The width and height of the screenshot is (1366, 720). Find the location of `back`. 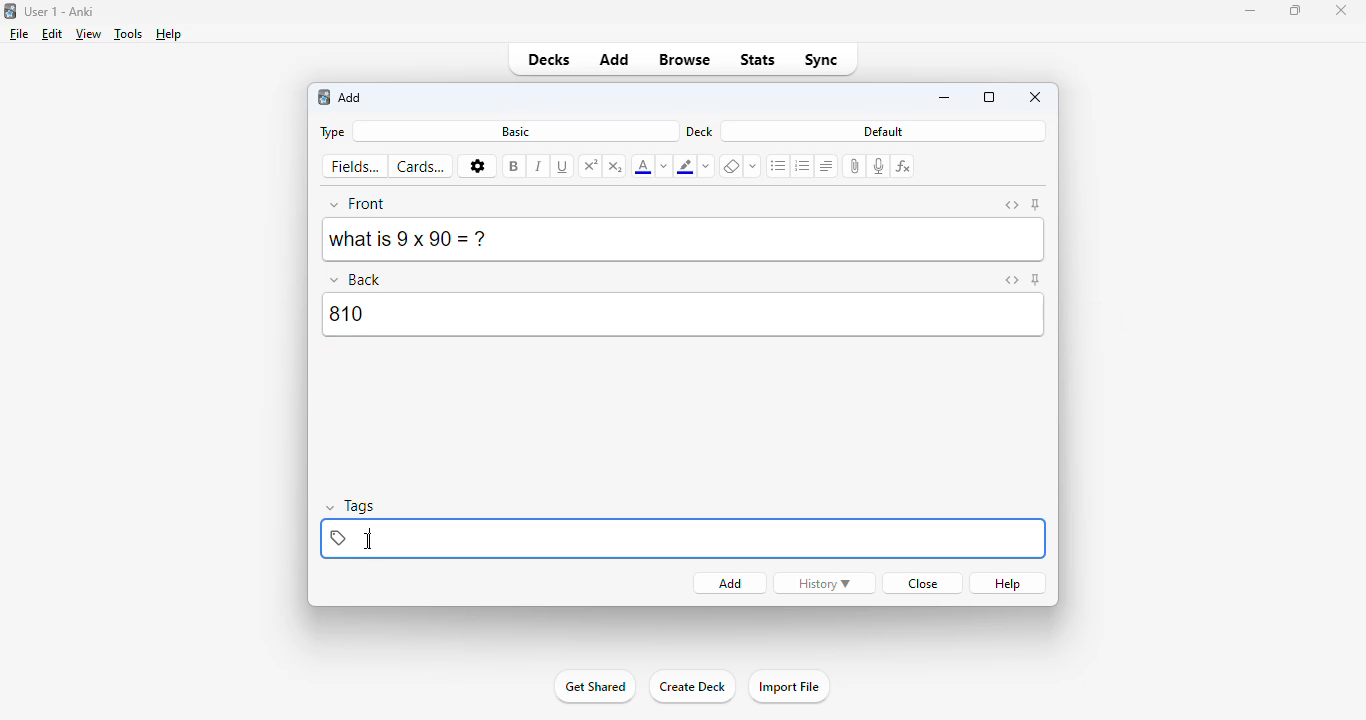

back is located at coordinates (358, 278).